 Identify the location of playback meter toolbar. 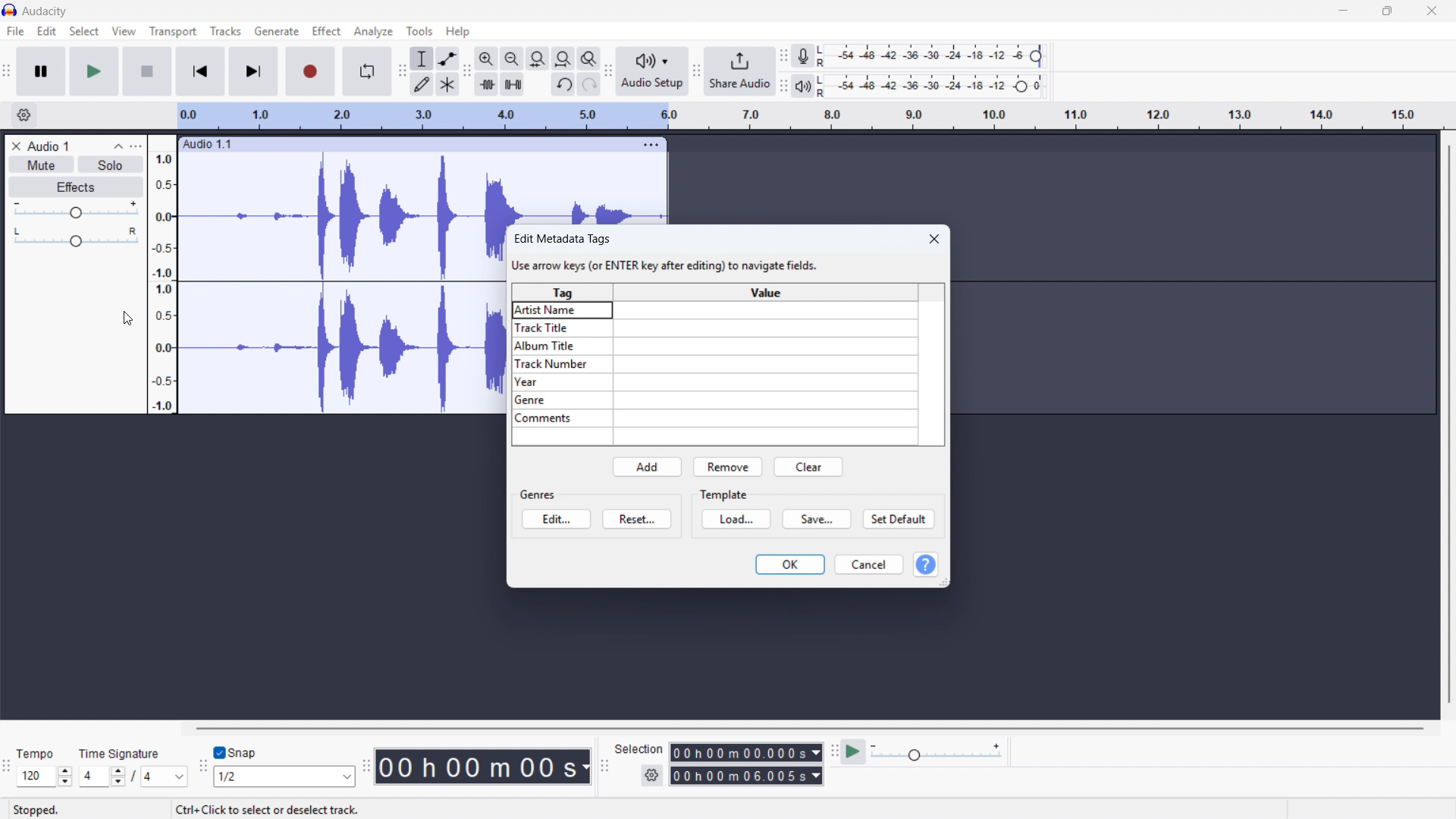
(783, 86).